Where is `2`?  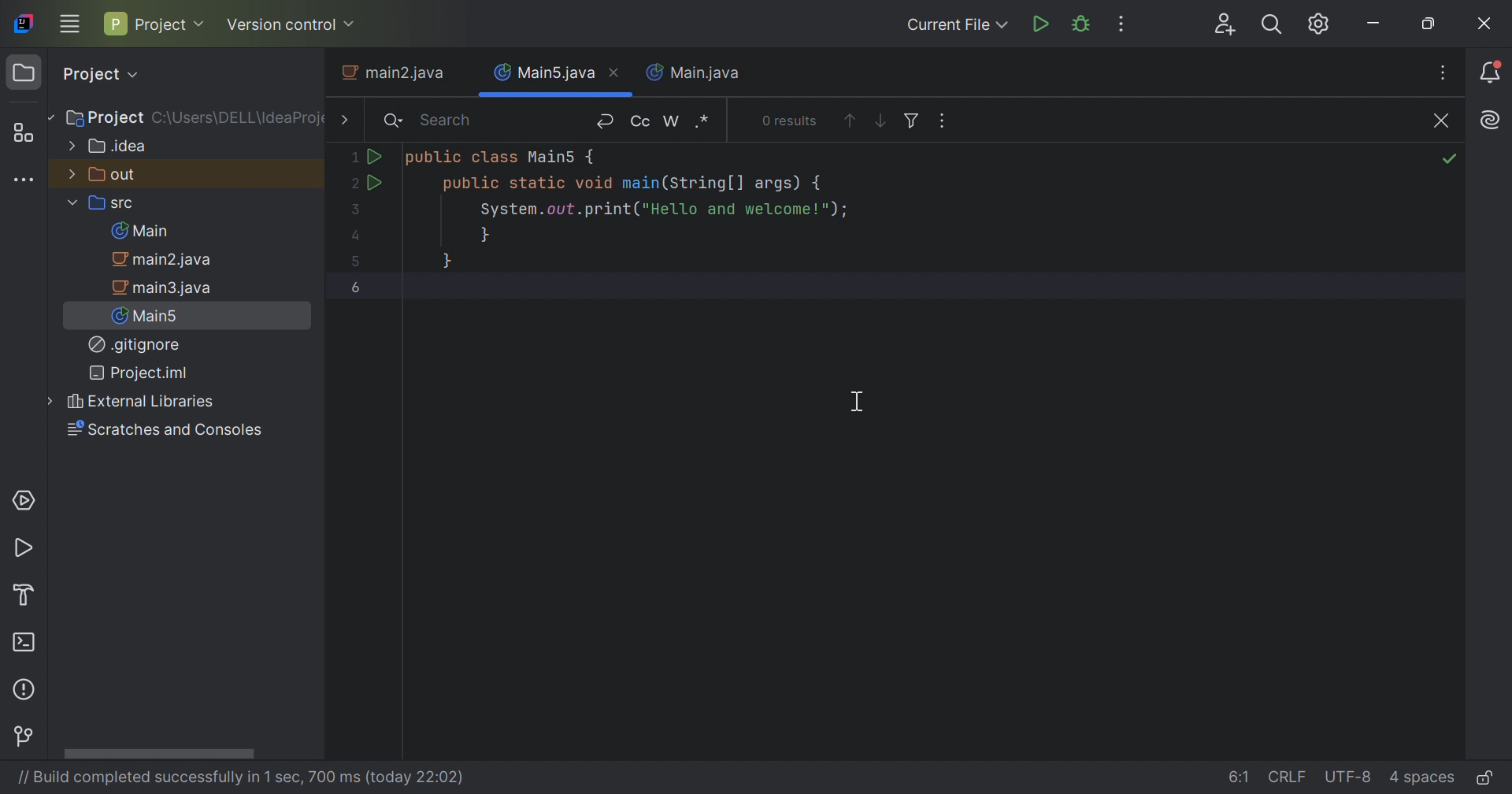
2 is located at coordinates (354, 184).